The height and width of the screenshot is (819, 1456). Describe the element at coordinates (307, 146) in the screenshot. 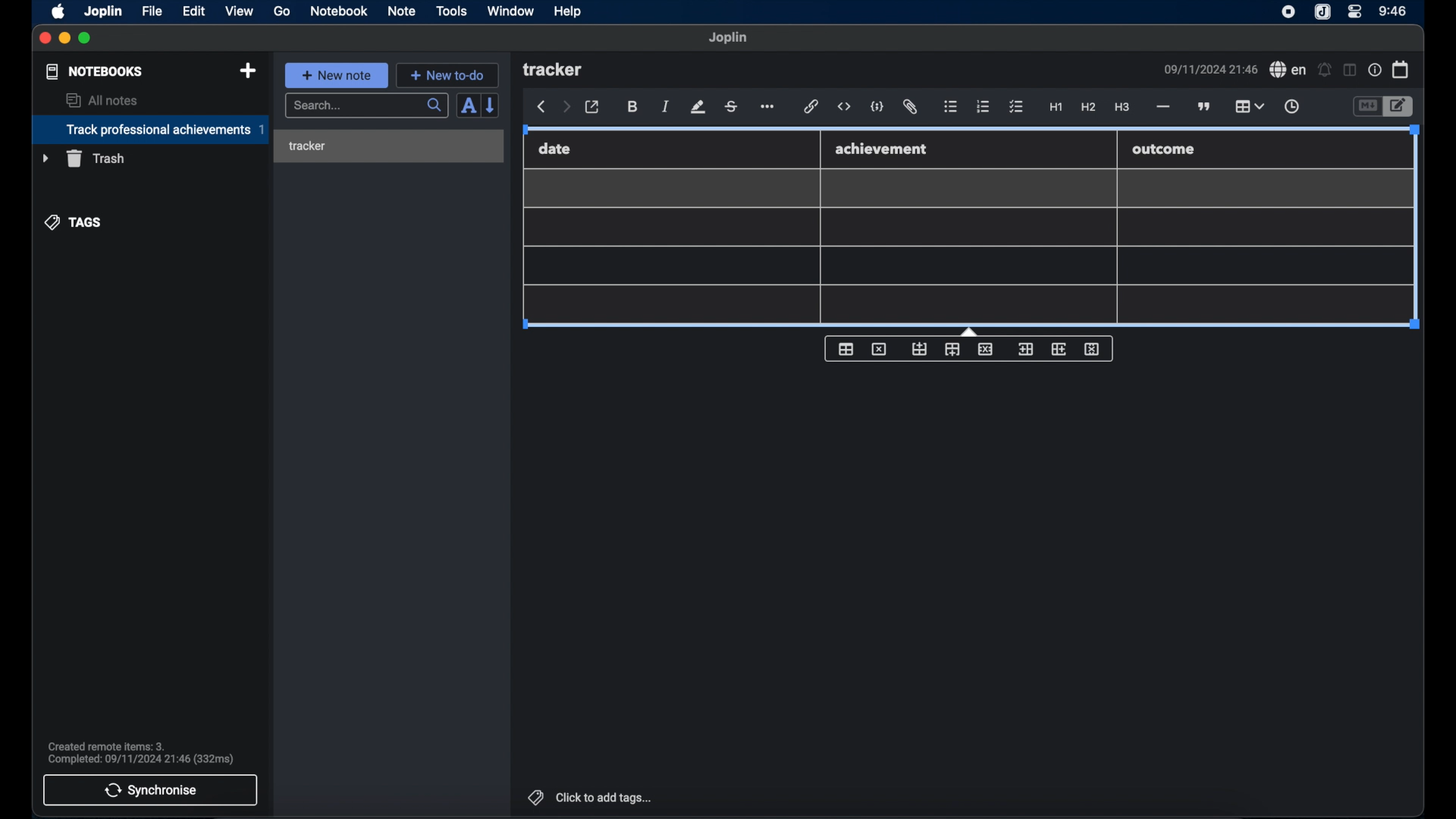

I see `tracker` at that location.